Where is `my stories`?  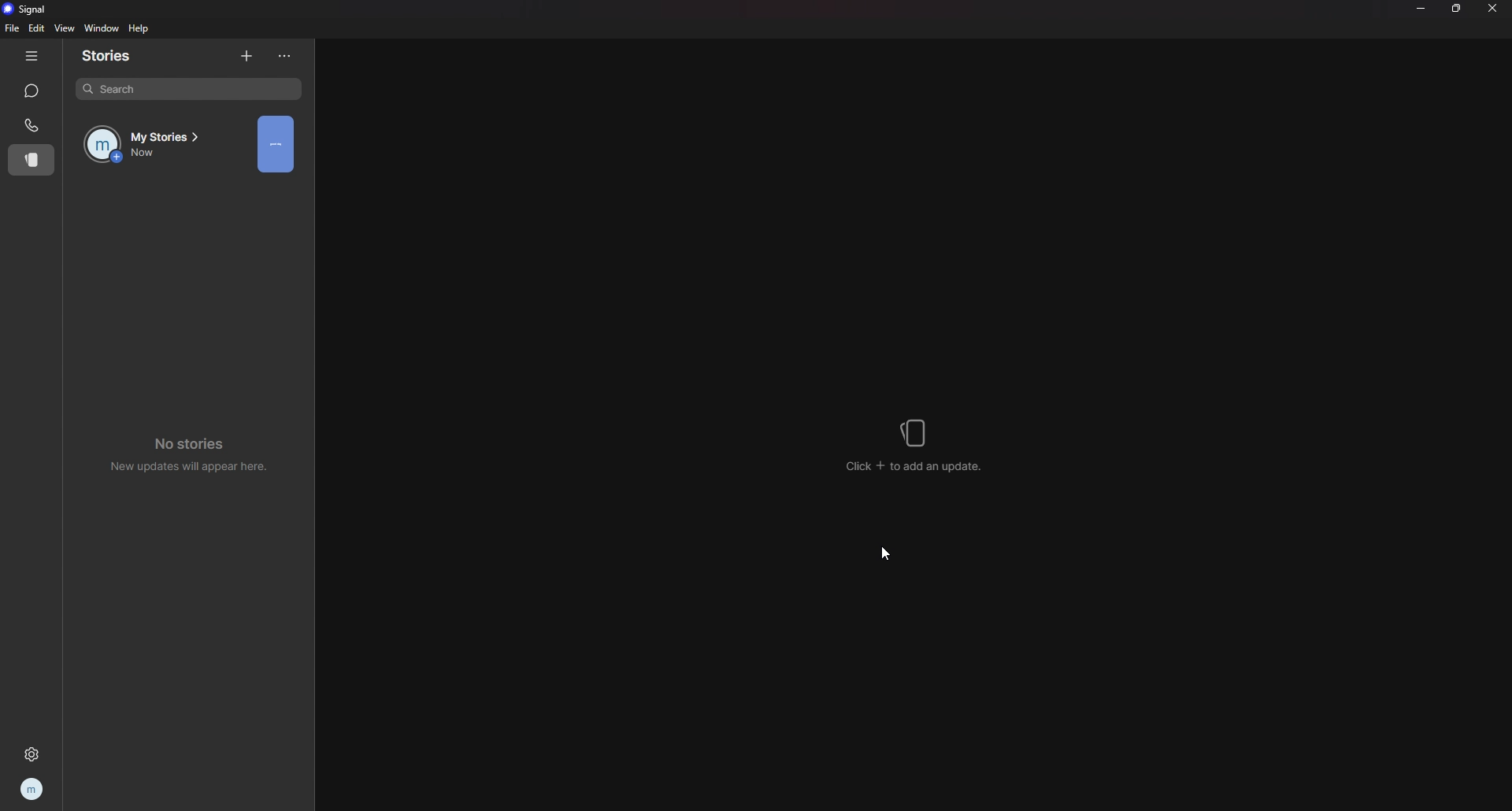
my stories is located at coordinates (153, 144).